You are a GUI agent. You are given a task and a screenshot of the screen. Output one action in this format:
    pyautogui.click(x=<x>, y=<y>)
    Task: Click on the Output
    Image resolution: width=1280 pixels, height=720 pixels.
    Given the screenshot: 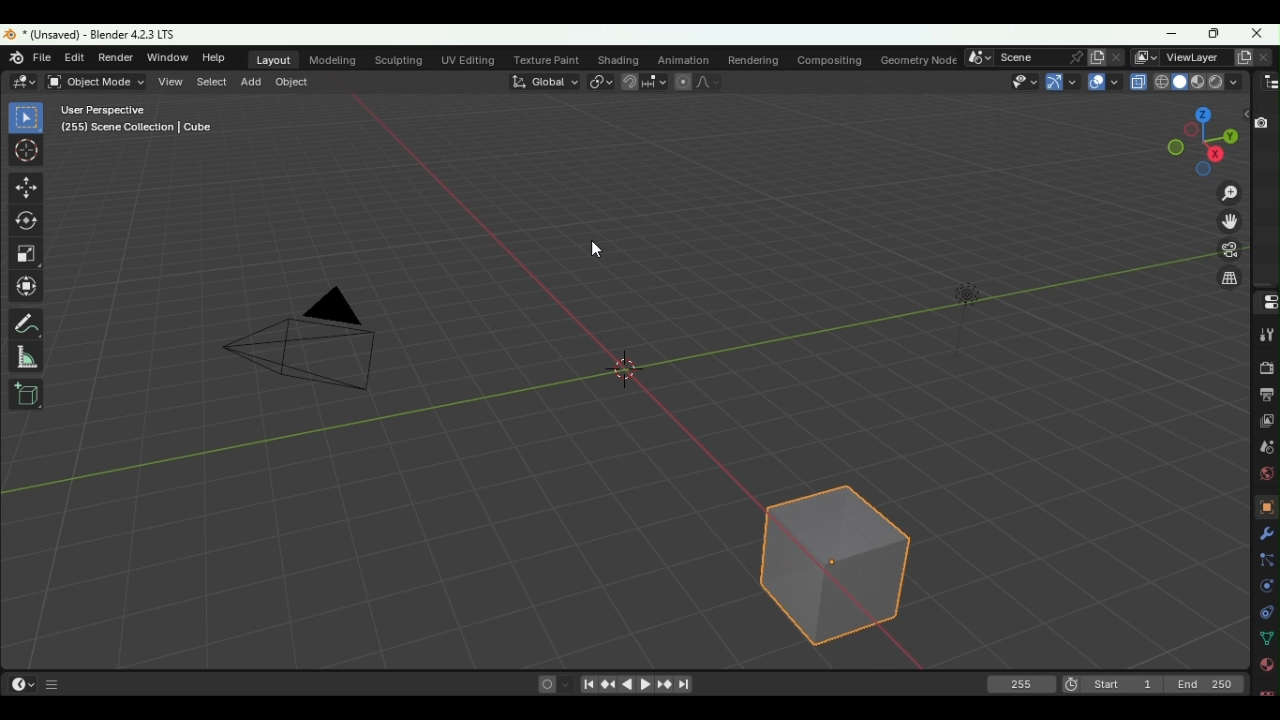 What is the action you would take?
    pyautogui.click(x=1266, y=395)
    